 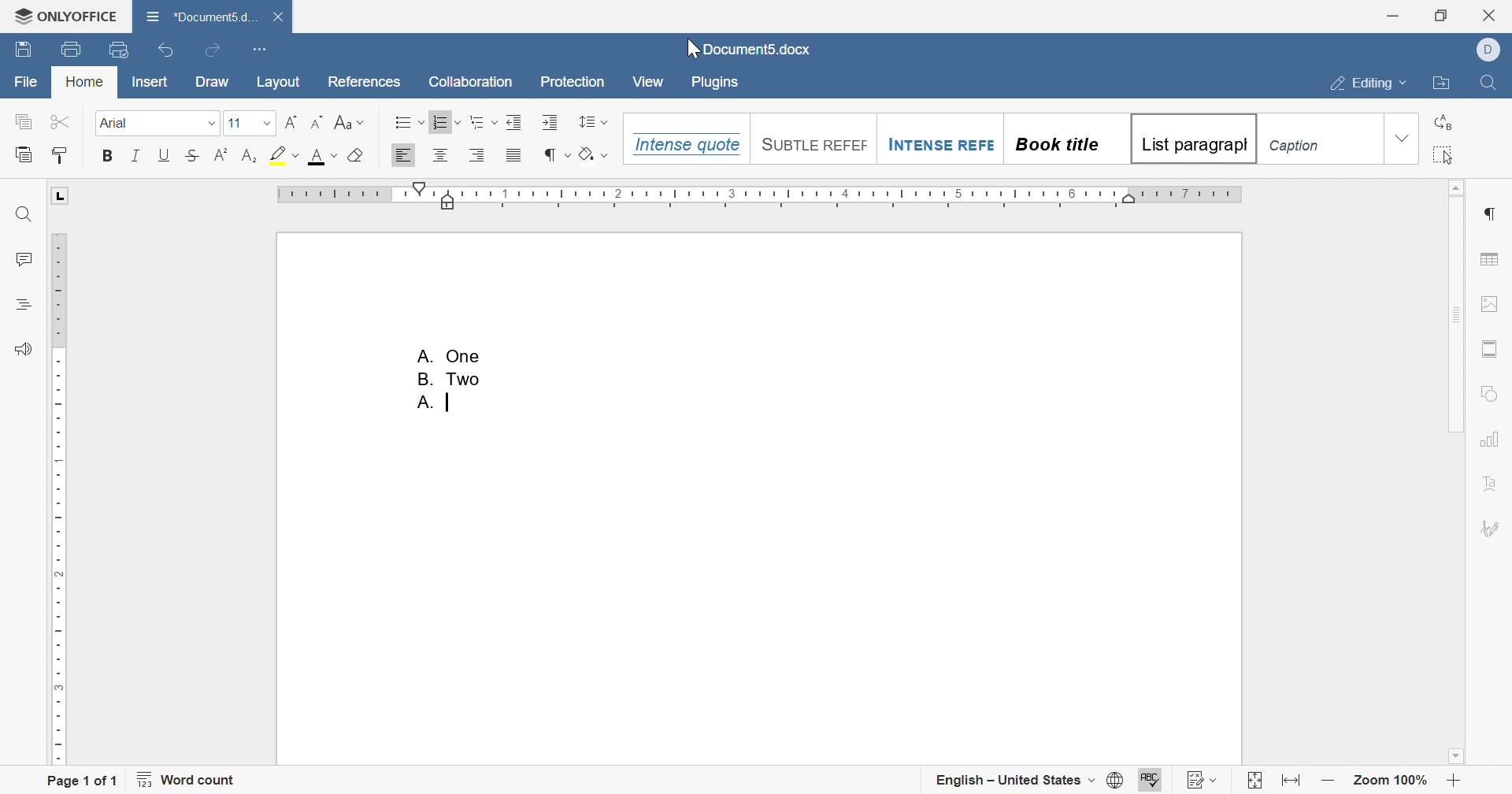 I want to click on Justified, so click(x=515, y=155).